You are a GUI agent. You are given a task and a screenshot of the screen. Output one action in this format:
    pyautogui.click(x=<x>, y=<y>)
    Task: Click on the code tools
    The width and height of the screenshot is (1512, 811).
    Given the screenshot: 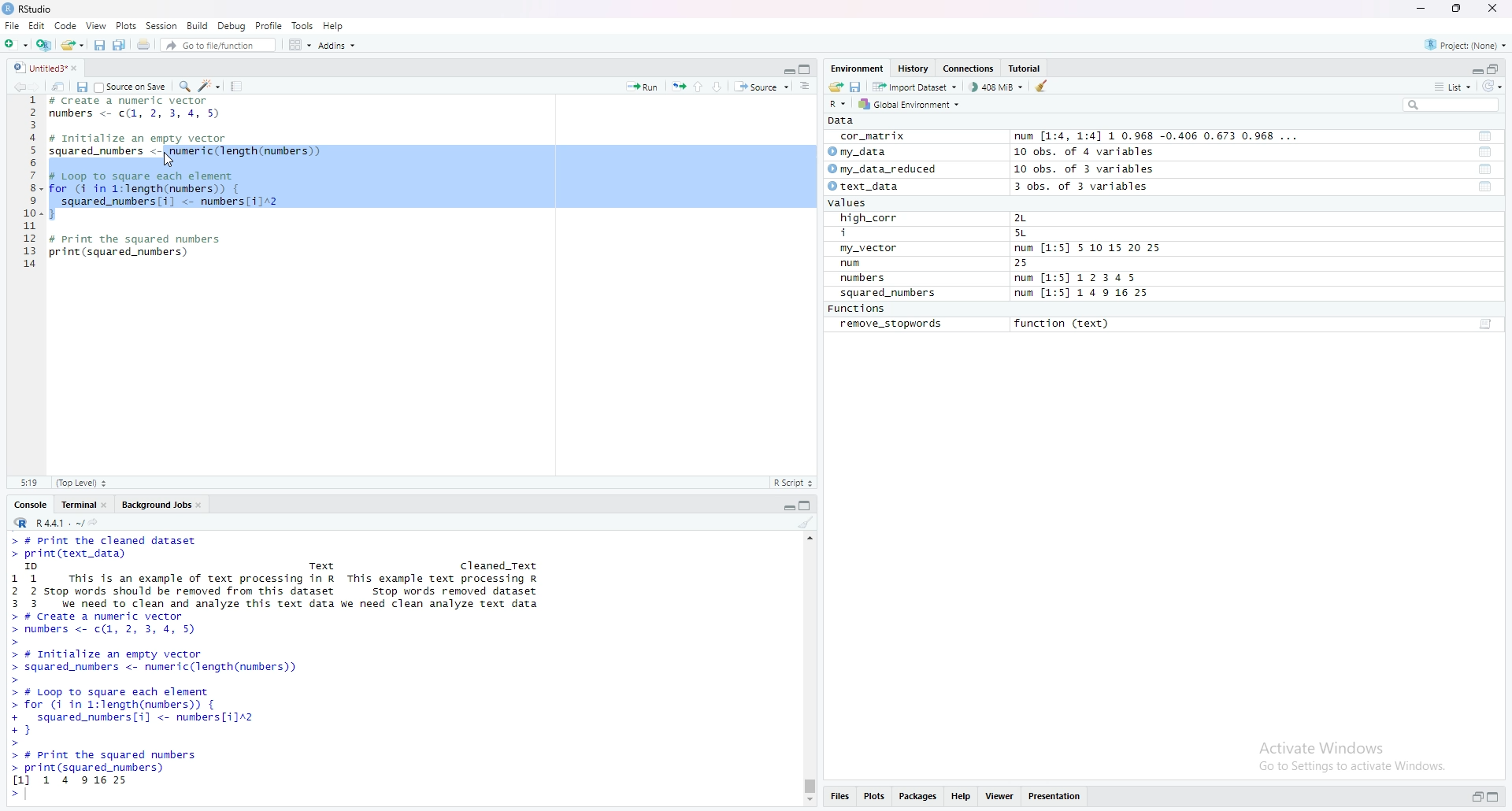 What is the action you would take?
    pyautogui.click(x=209, y=85)
    